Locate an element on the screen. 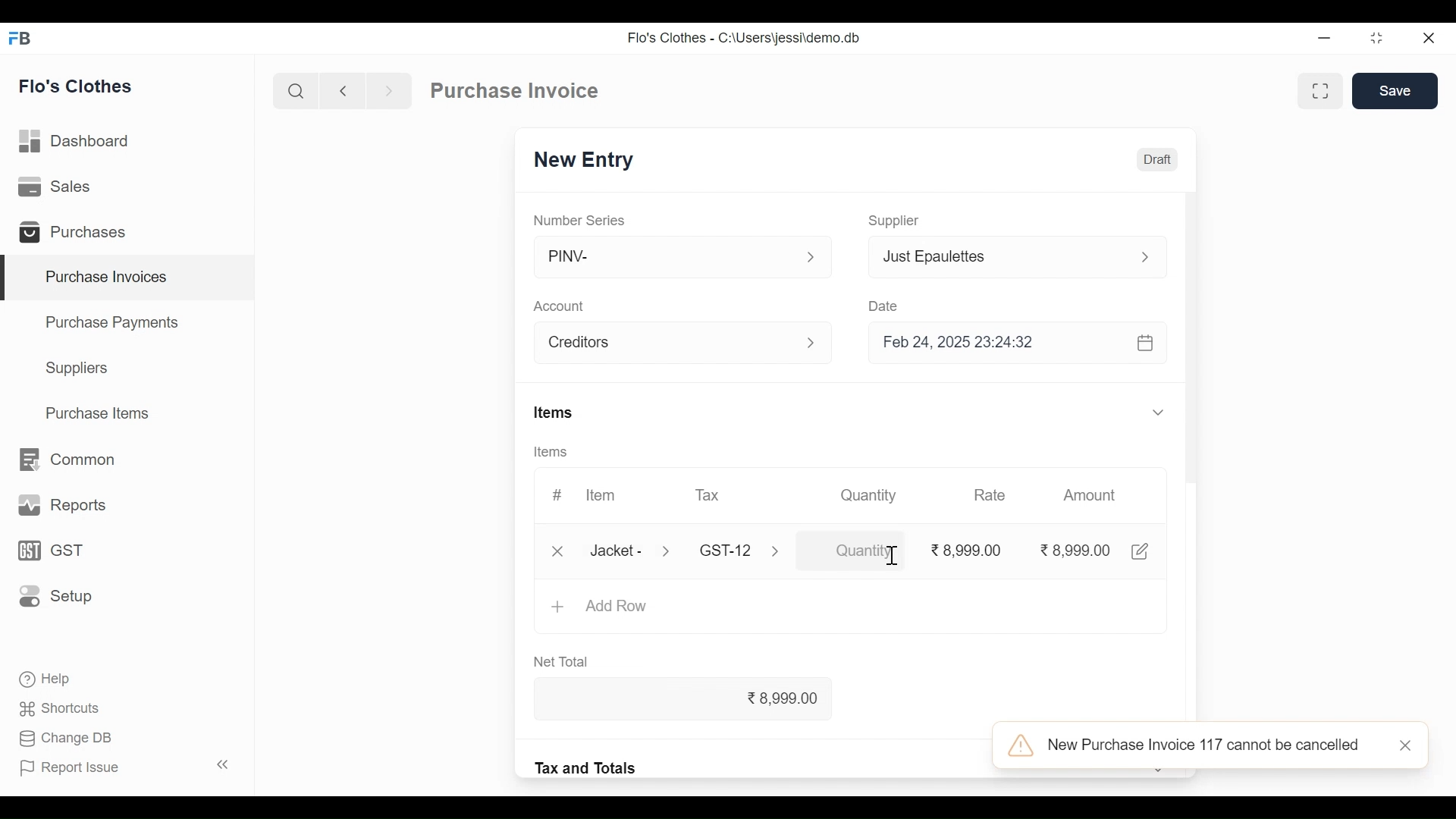  Expand is located at coordinates (1160, 412).